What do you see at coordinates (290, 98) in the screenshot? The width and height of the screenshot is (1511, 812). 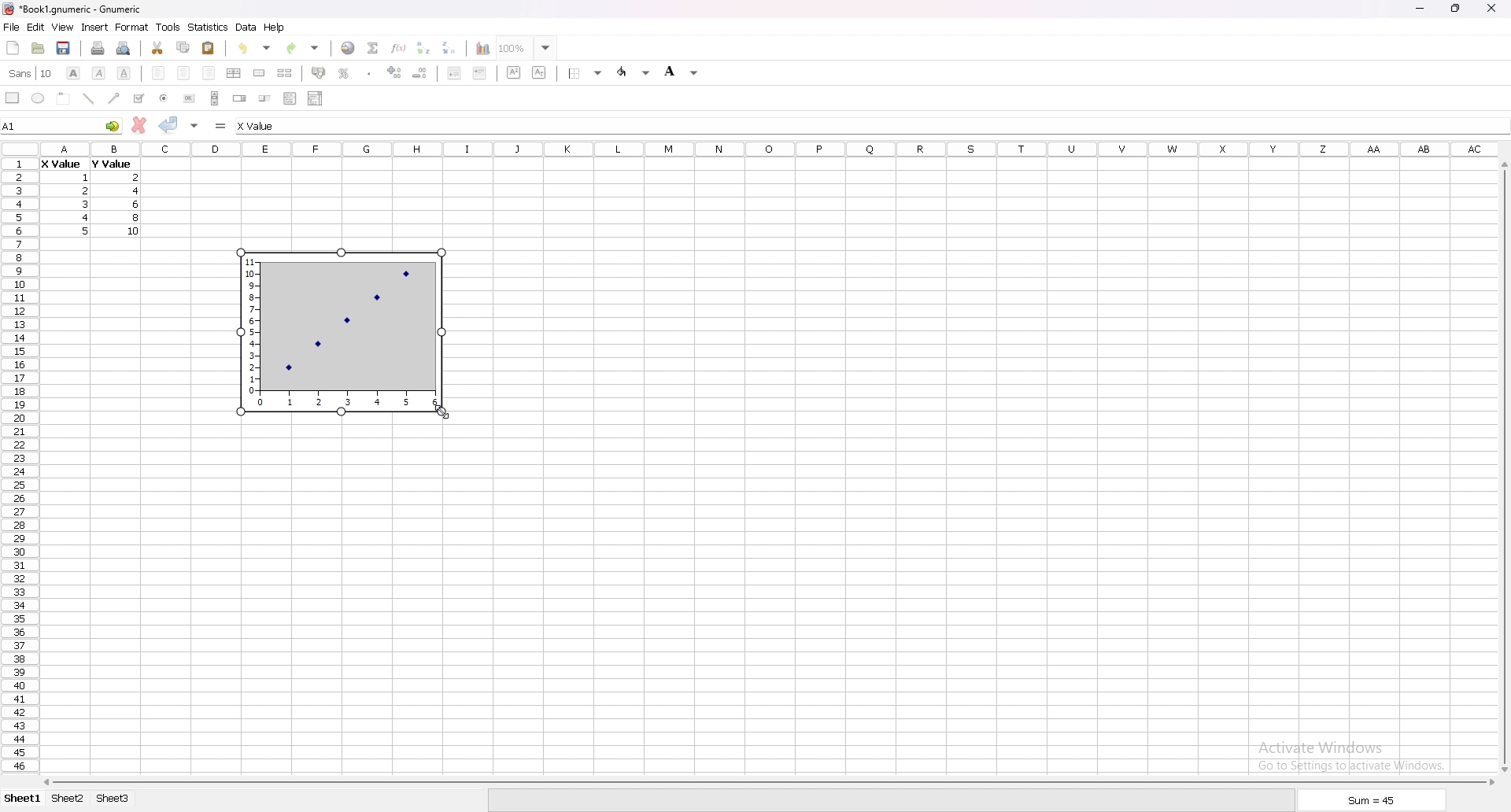 I see `list` at bounding box center [290, 98].